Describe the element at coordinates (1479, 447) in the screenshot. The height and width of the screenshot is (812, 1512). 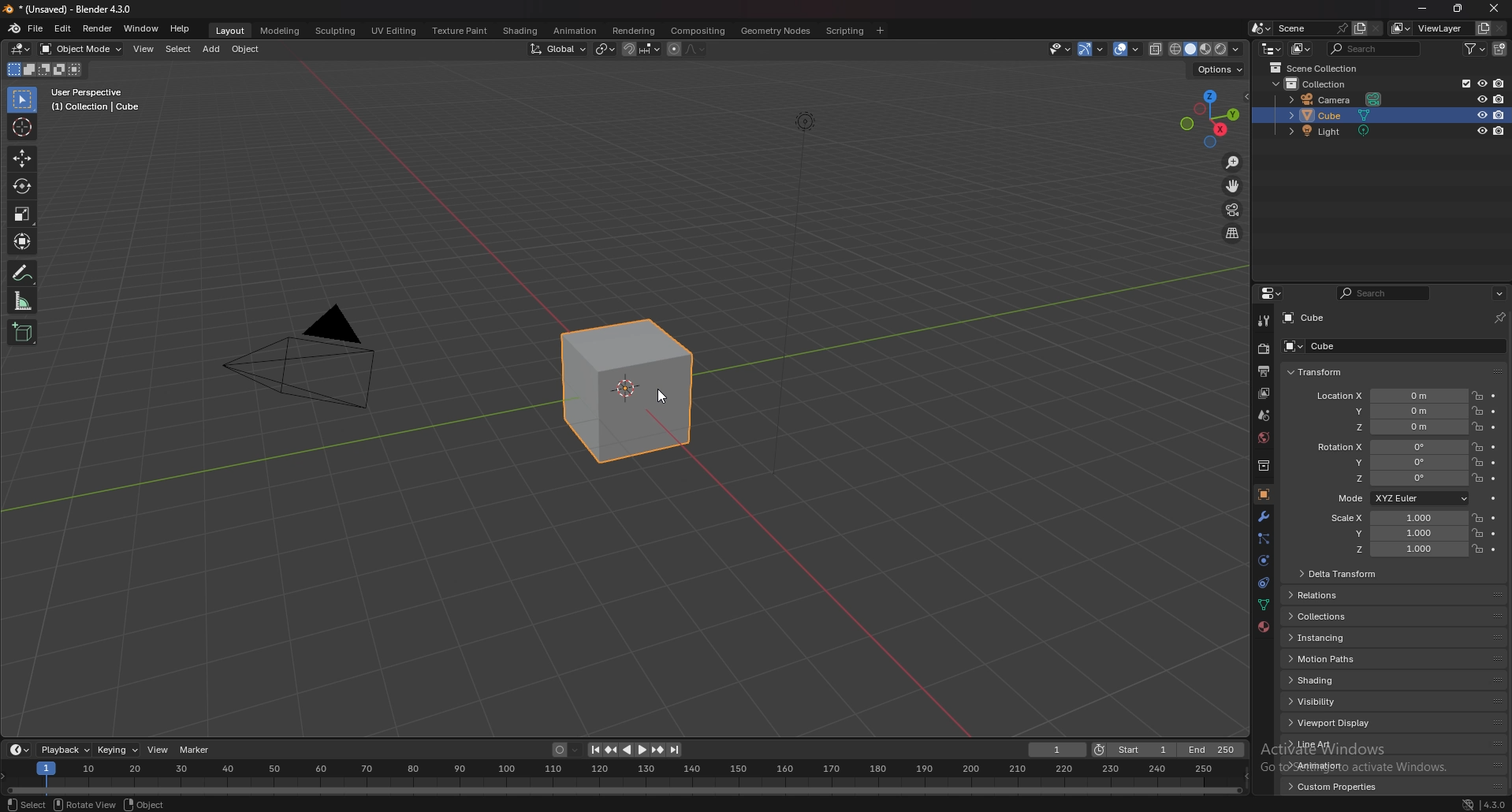
I see `lock location` at that location.